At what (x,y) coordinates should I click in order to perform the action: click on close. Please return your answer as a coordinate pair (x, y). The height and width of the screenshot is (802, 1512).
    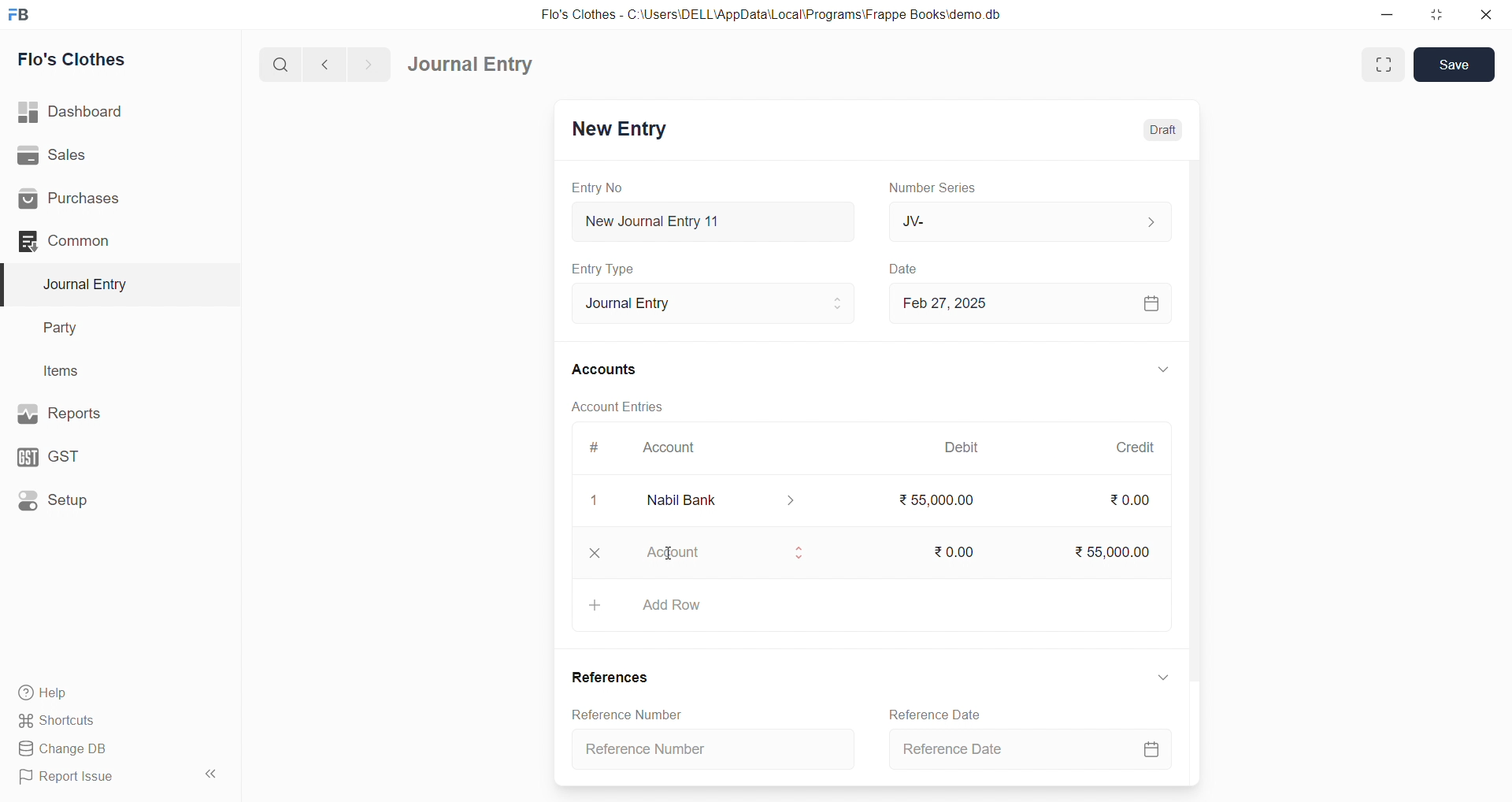
    Looking at the image, I should click on (1488, 14).